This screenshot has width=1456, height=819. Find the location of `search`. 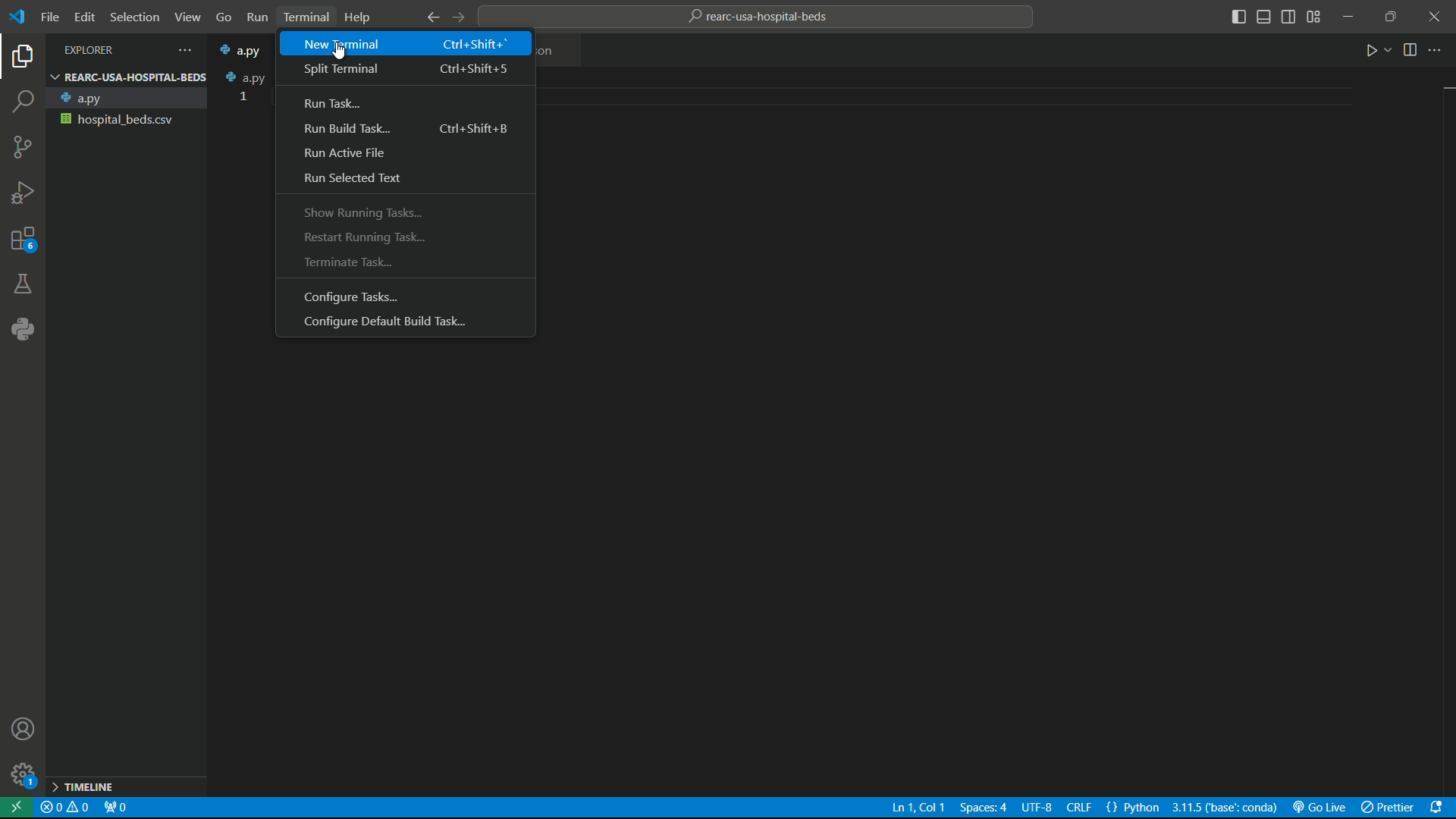

search is located at coordinates (23, 100).